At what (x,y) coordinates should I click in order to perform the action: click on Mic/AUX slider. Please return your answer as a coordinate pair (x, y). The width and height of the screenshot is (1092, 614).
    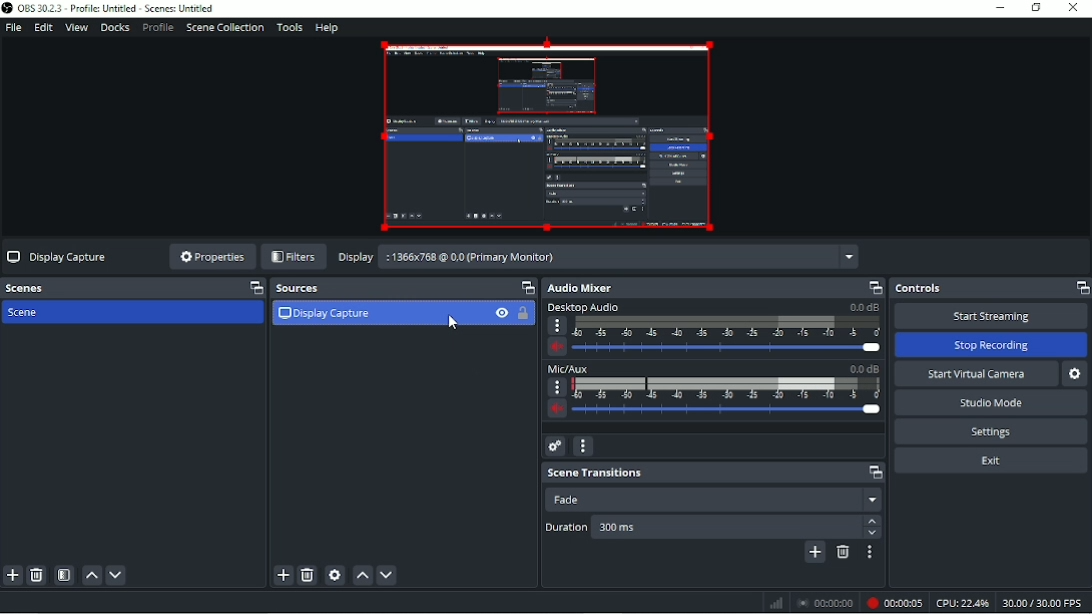
    Looking at the image, I should click on (712, 393).